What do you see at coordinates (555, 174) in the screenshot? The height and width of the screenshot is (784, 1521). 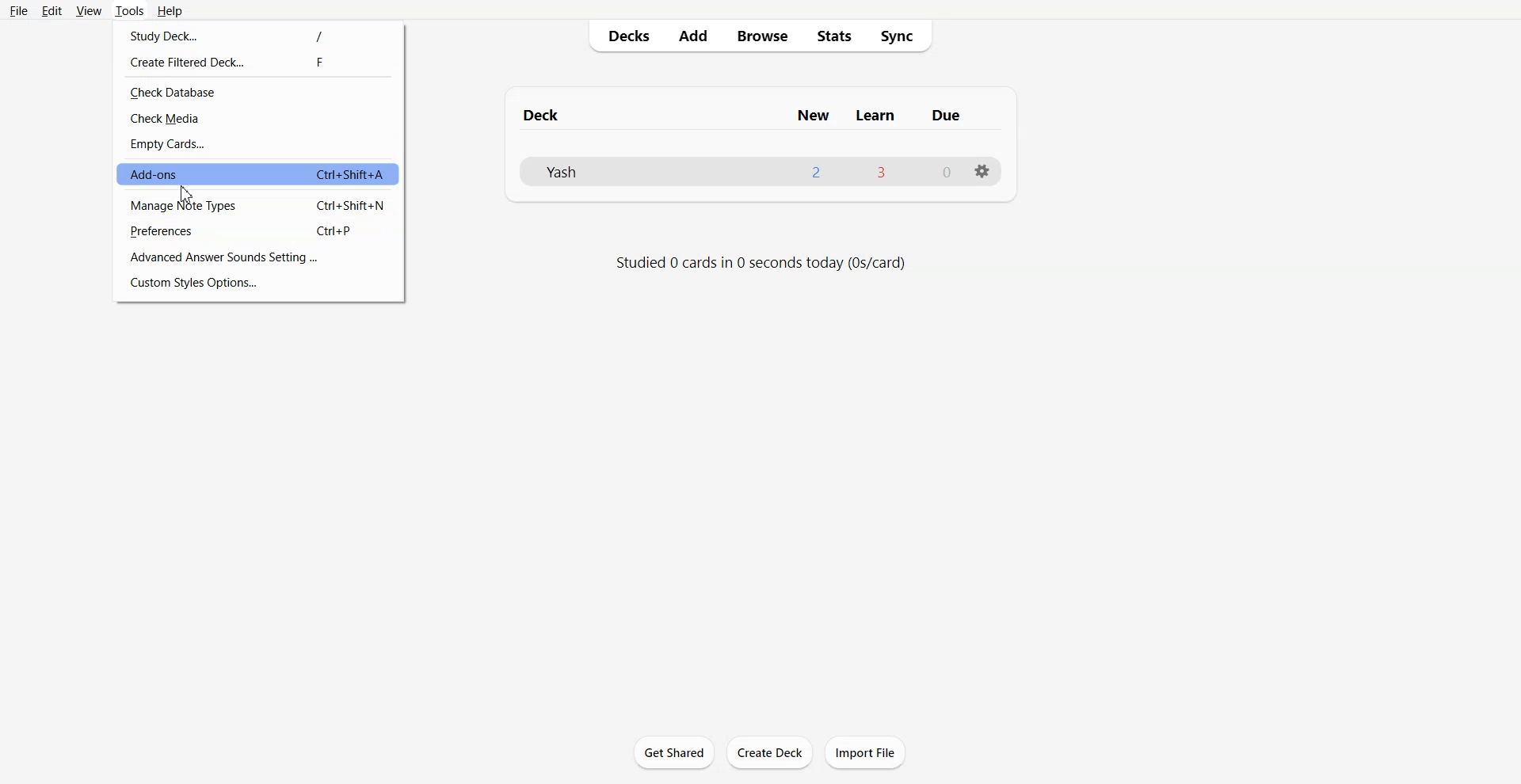 I see `yash` at bounding box center [555, 174].